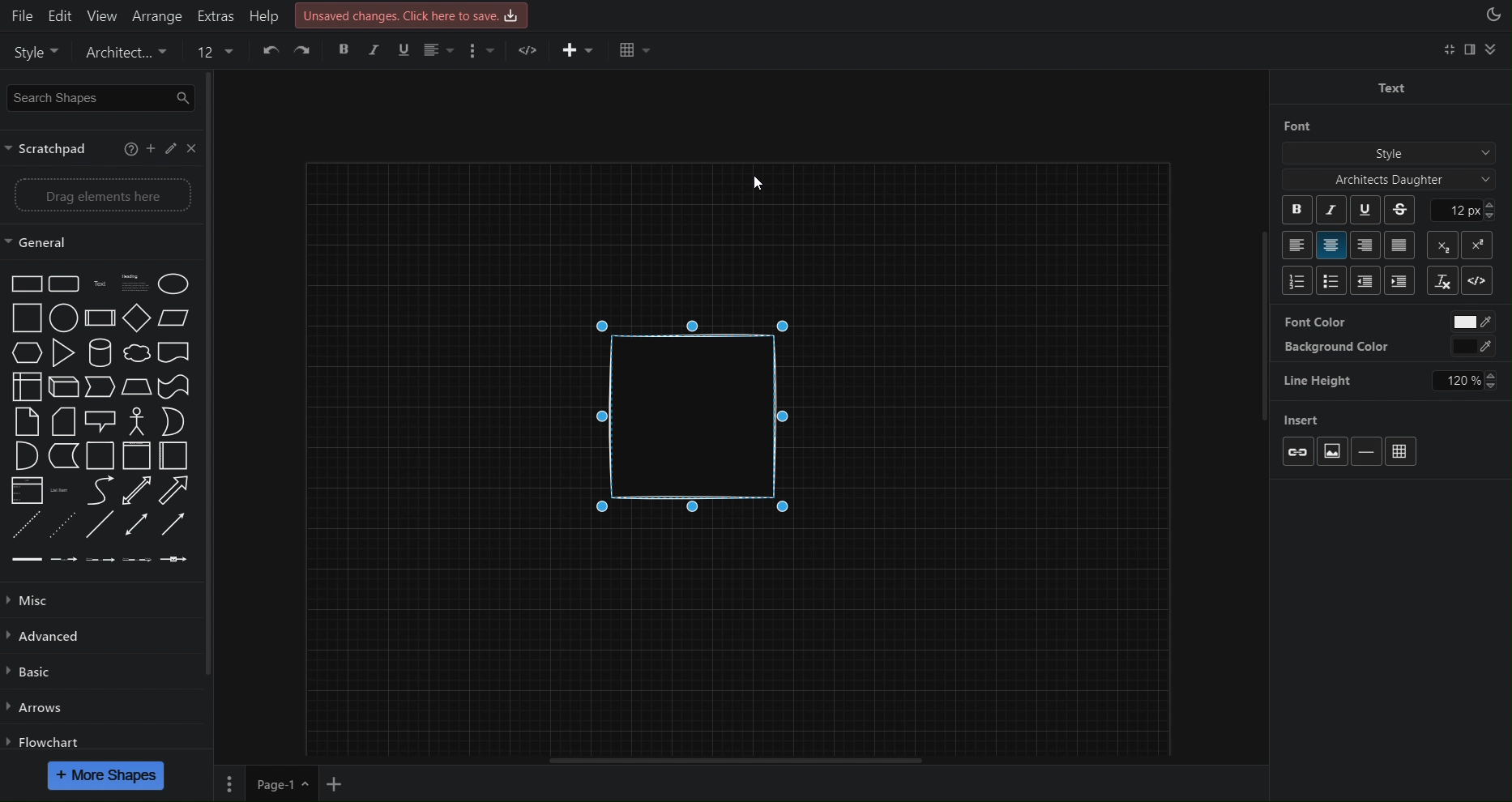  I want to click on Undo, so click(234, 53).